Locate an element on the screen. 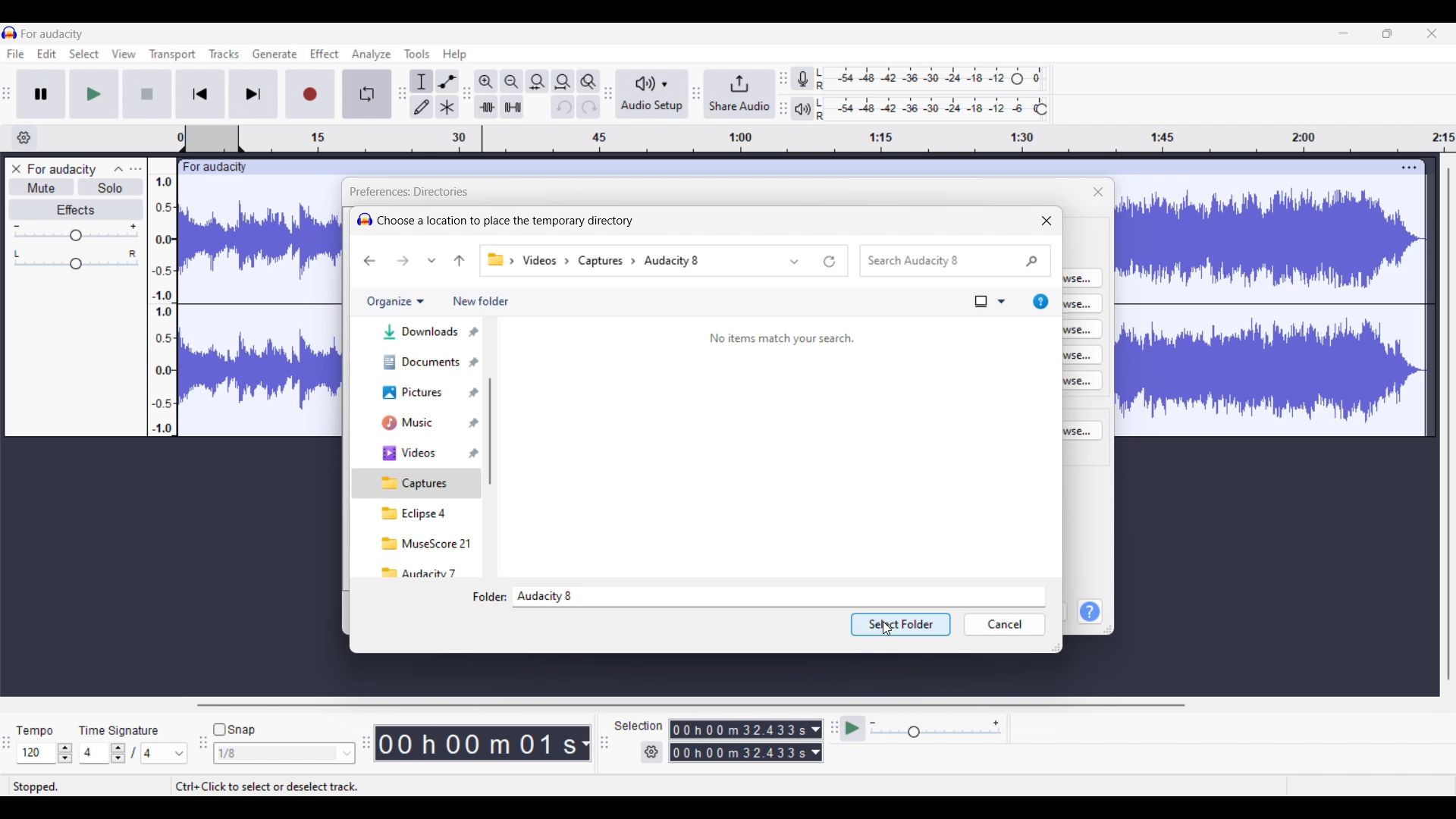 This screenshot has width=1456, height=819. Draw tool is located at coordinates (422, 106).